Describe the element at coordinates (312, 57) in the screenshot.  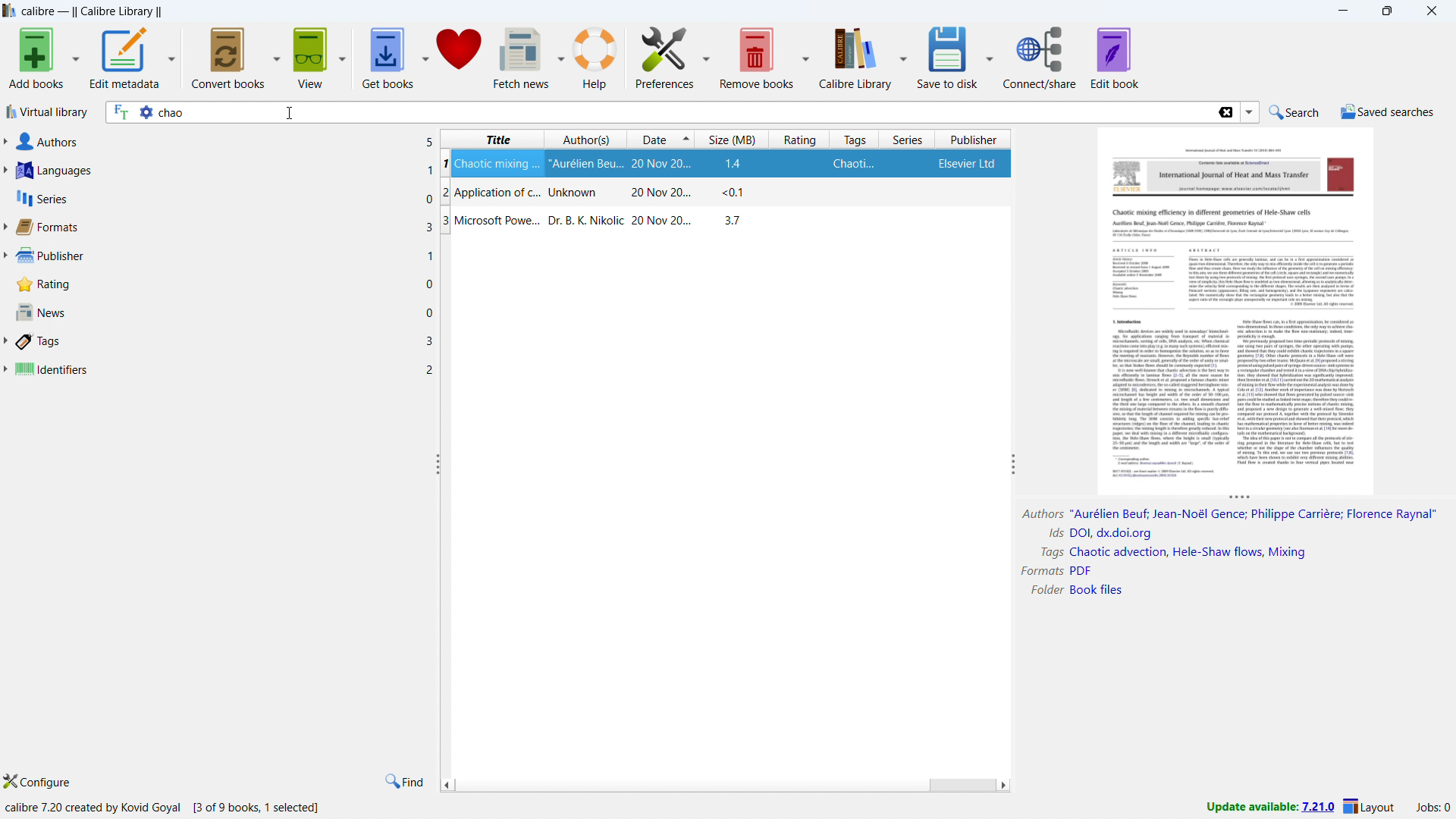
I see `view` at that location.